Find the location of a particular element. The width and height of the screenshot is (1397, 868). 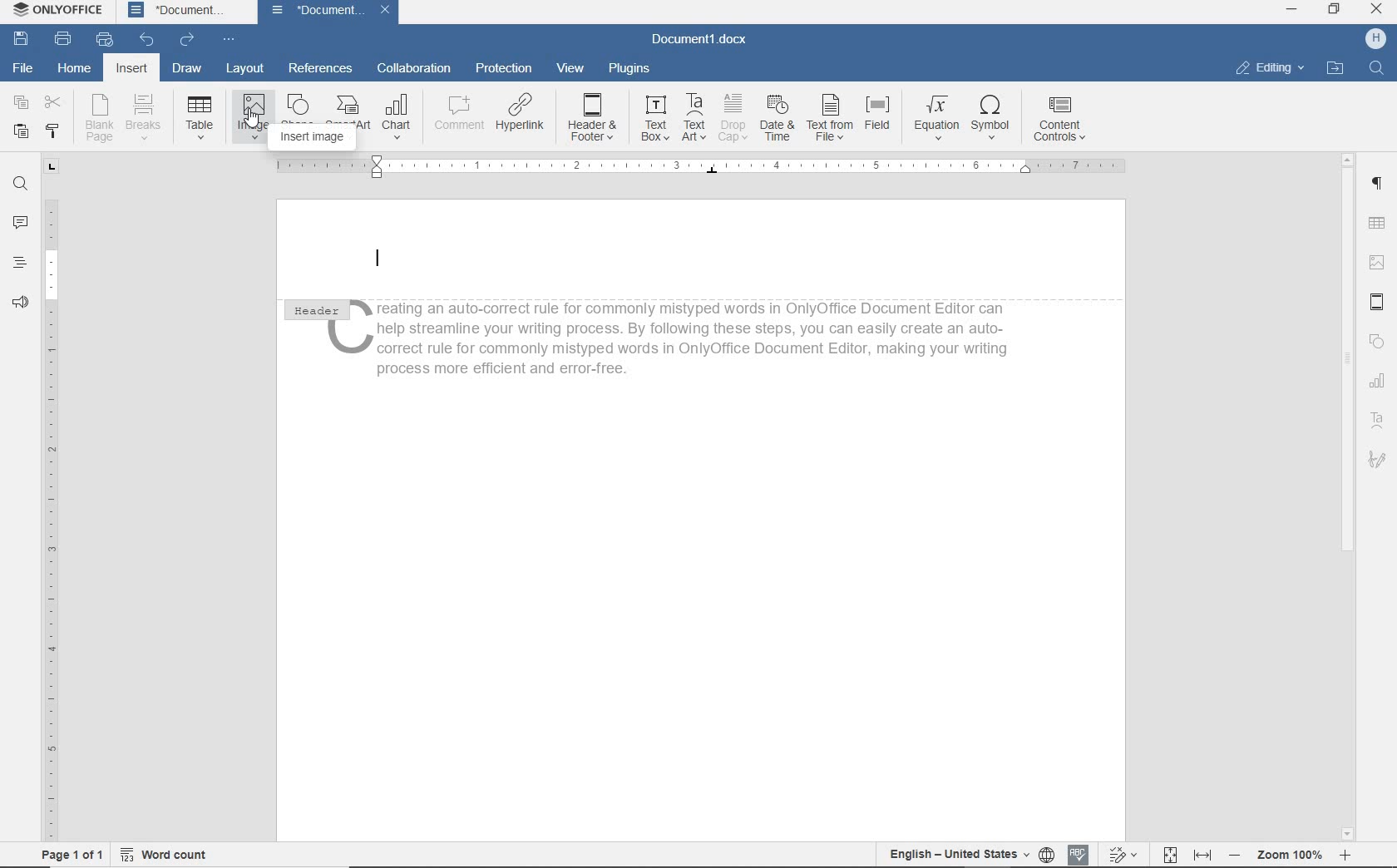

LAYOUT is located at coordinates (245, 68).